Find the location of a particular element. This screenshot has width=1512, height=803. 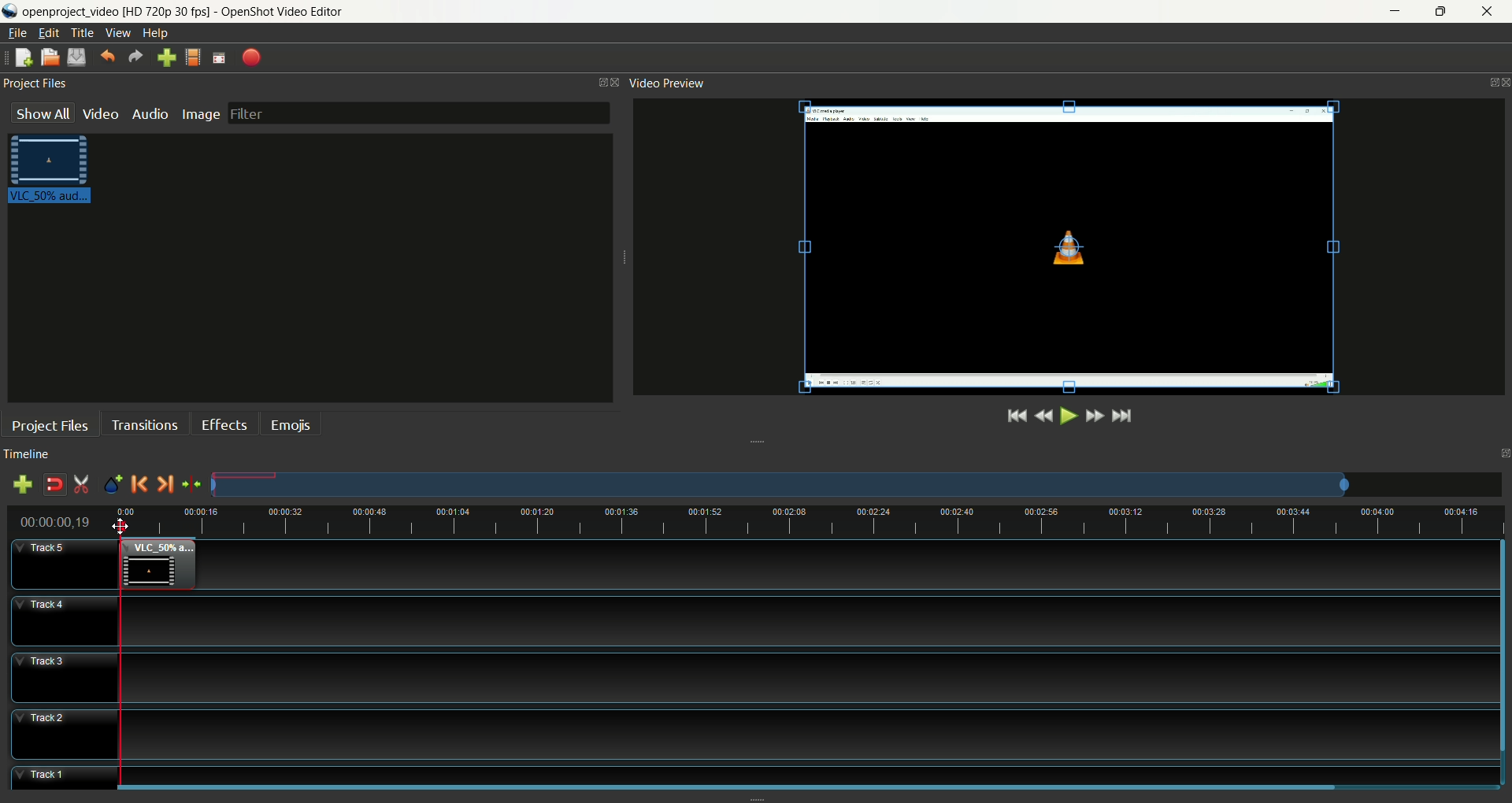

show all is located at coordinates (42, 113).